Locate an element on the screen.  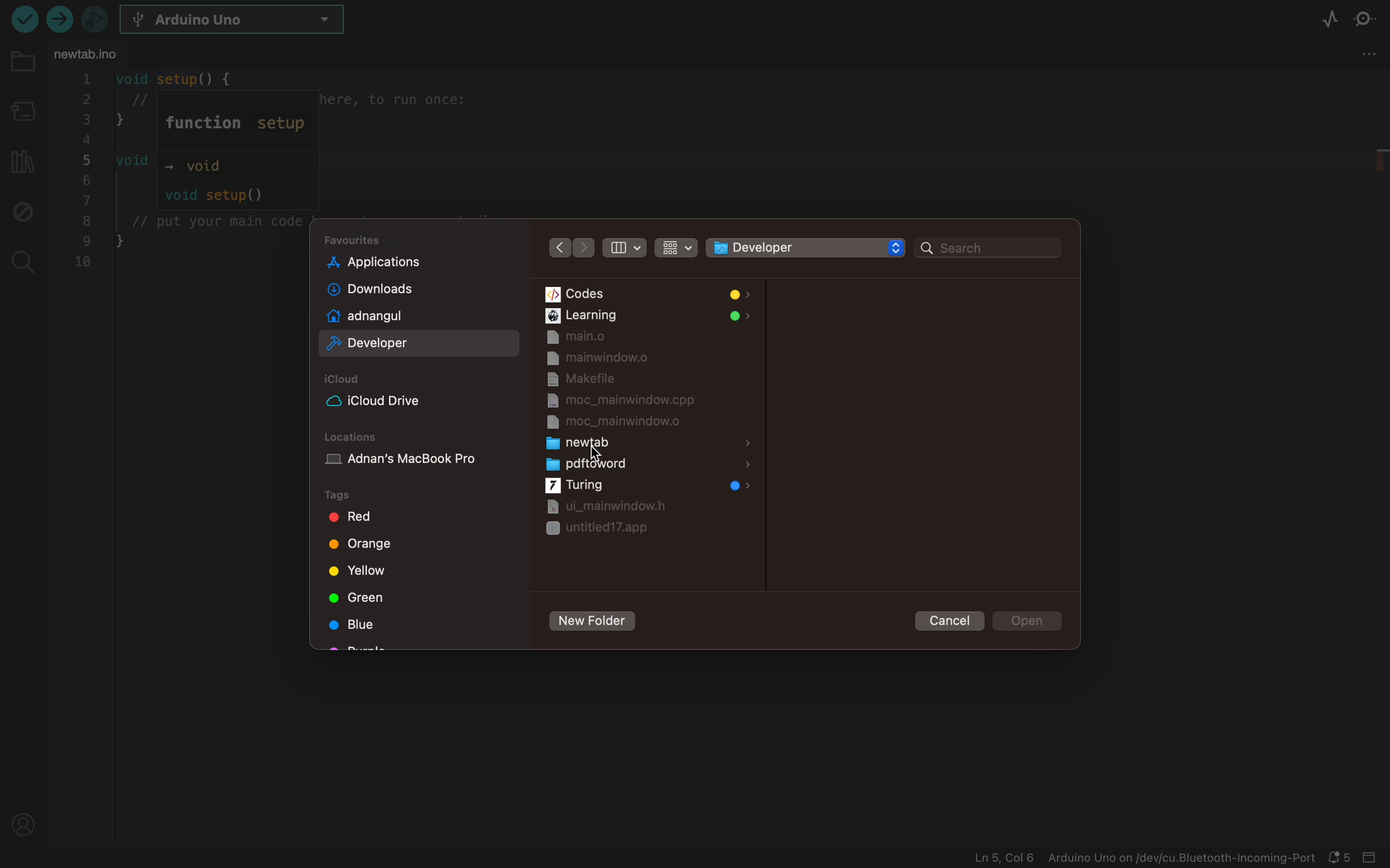
main window is located at coordinates (642, 358).